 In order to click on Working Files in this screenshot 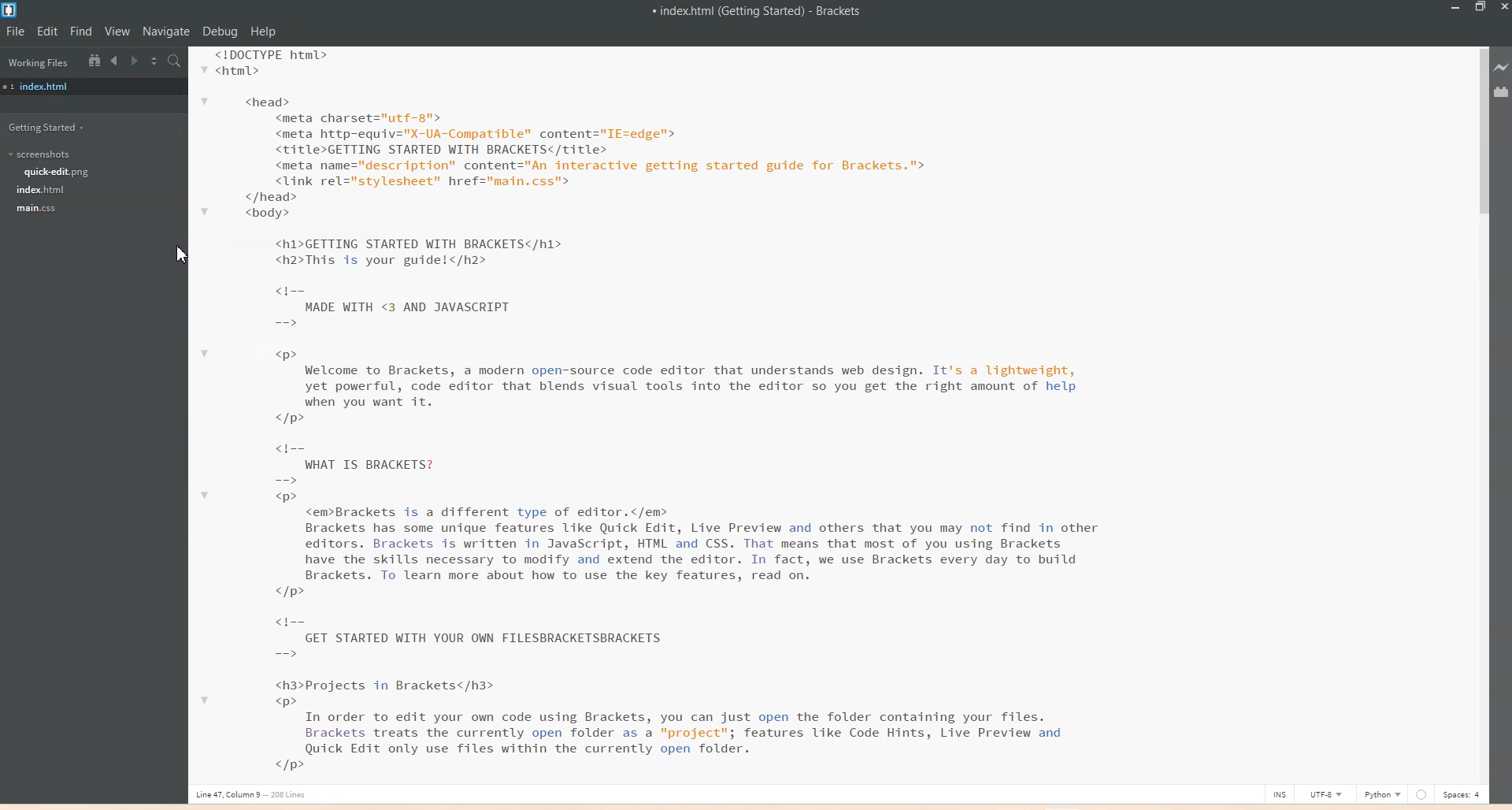, I will do `click(37, 61)`.